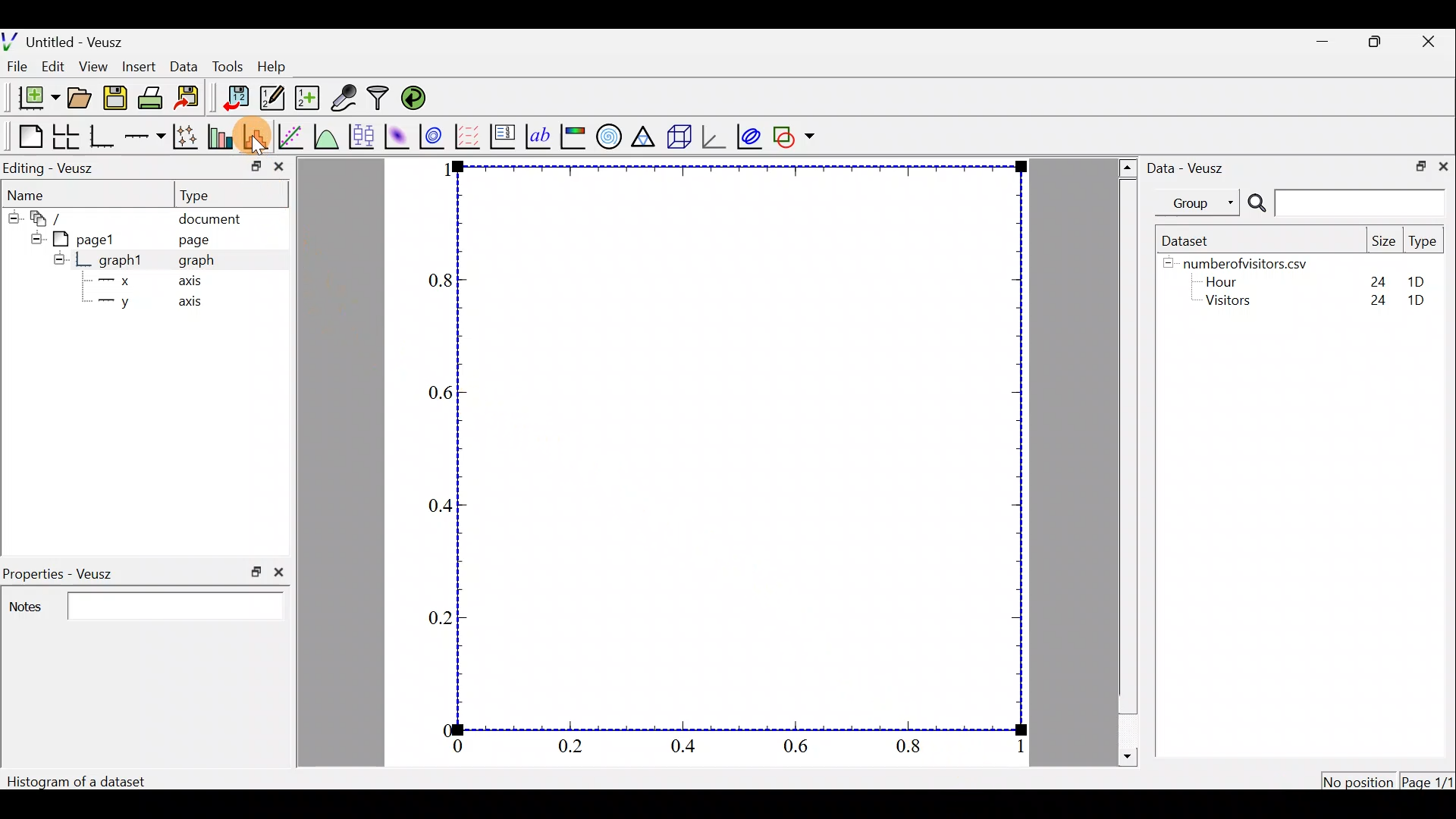 The width and height of the screenshot is (1456, 819). Describe the element at coordinates (343, 98) in the screenshot. I see `capture remote data` at that location.